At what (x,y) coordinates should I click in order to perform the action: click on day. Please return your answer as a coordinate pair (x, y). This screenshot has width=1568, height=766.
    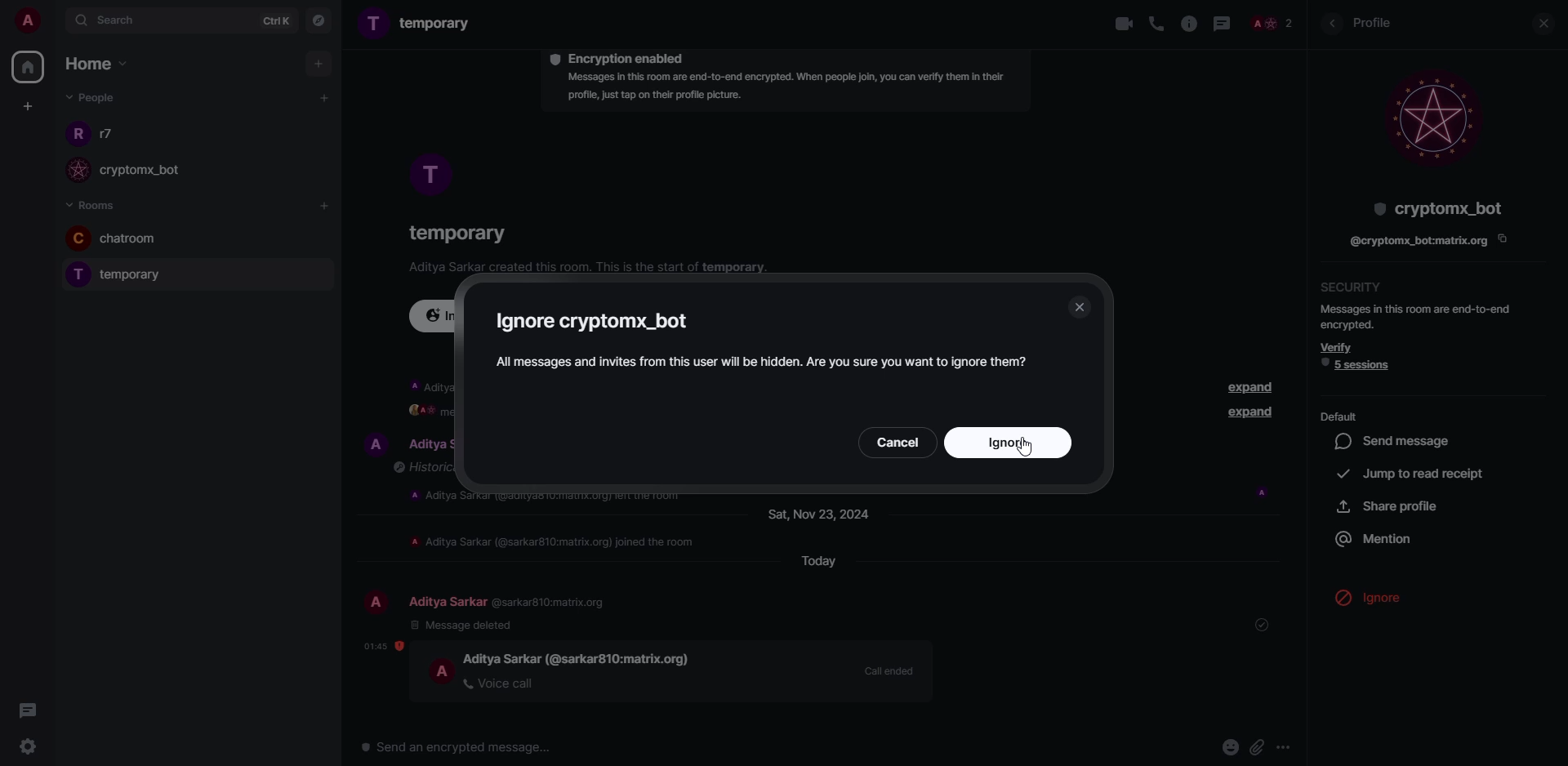
    Looking at the image, I should click on (813, 562).